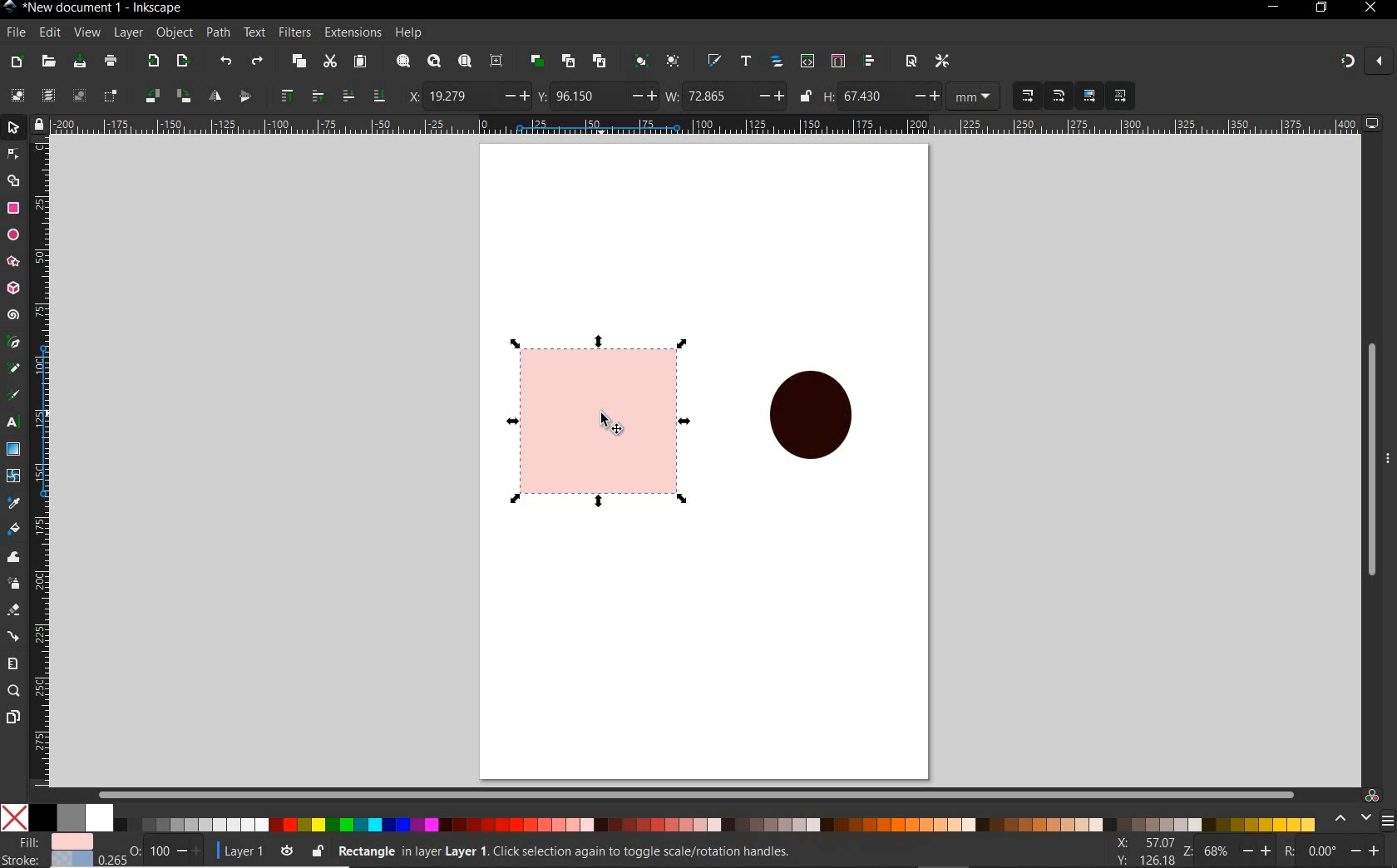 The width and height of the screenshot is (1397, 868). What do you see at coordinates (596, 96) in the screenshot?
I see `vertical coordinates  of selection` at bounding box center [596, 96].